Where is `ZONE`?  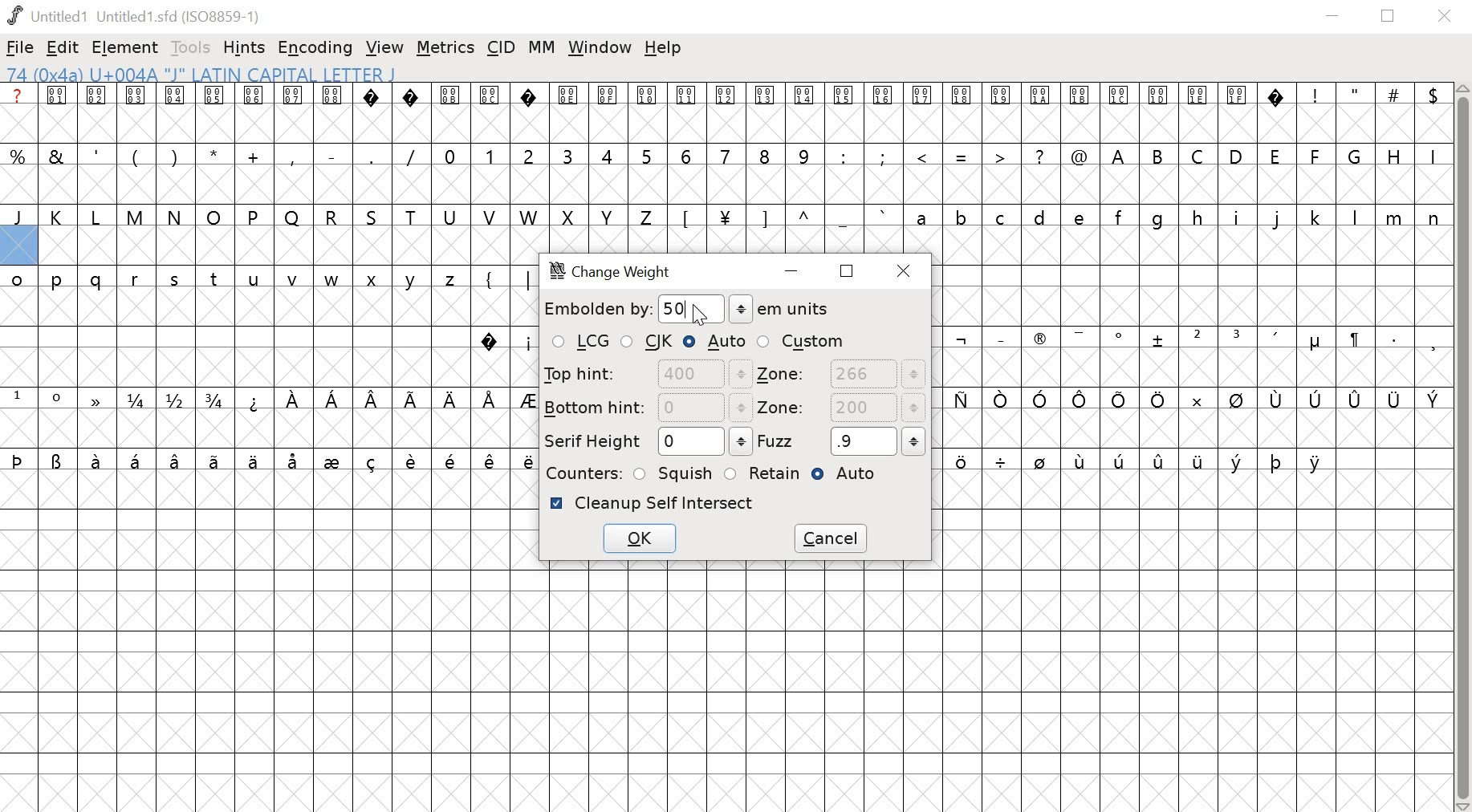
ZONE is located at coordinates (841, 375).